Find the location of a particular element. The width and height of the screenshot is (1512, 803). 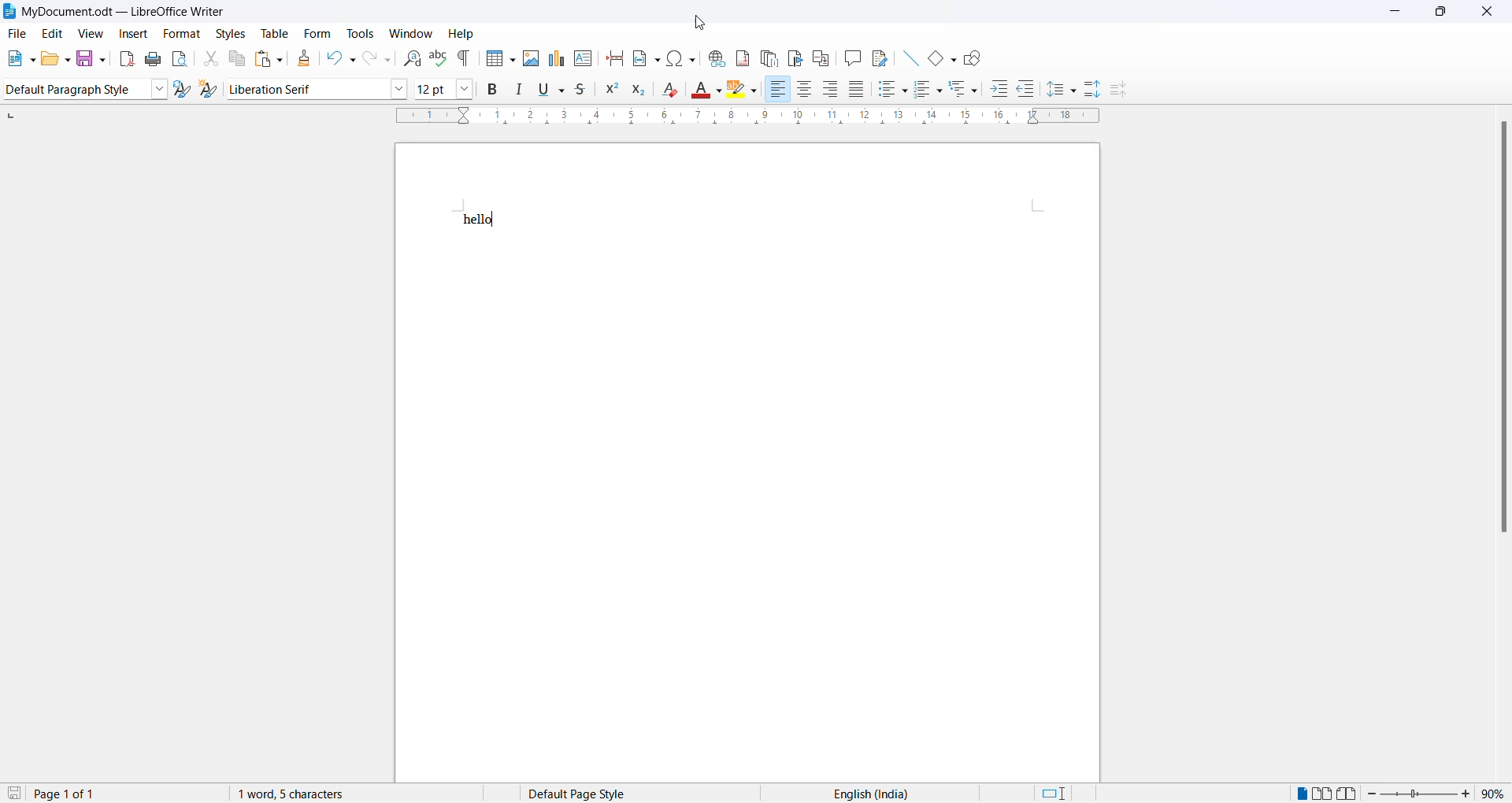

Font size options is located at coordinates (466, 90).